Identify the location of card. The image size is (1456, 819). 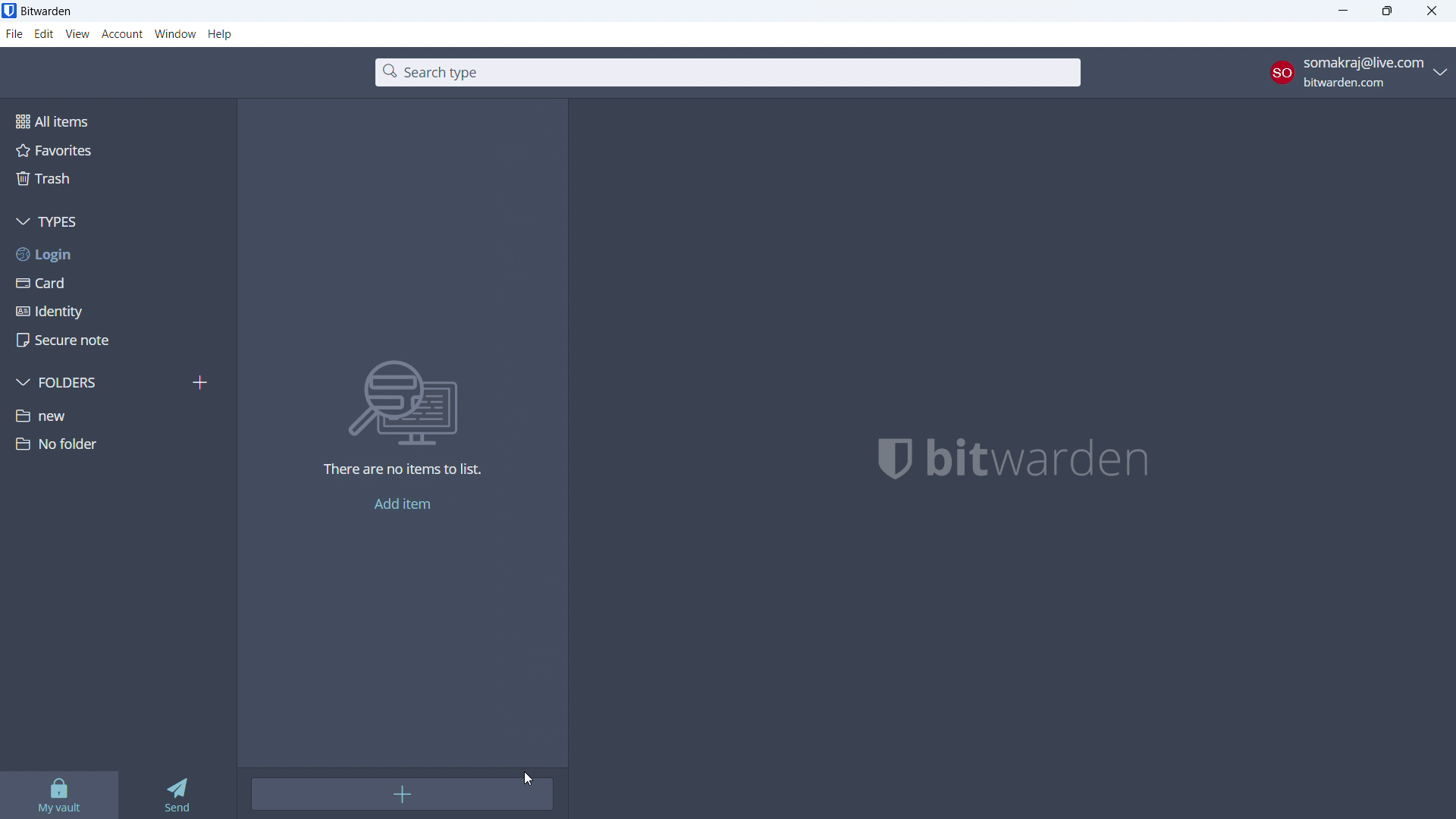
(119, 283).